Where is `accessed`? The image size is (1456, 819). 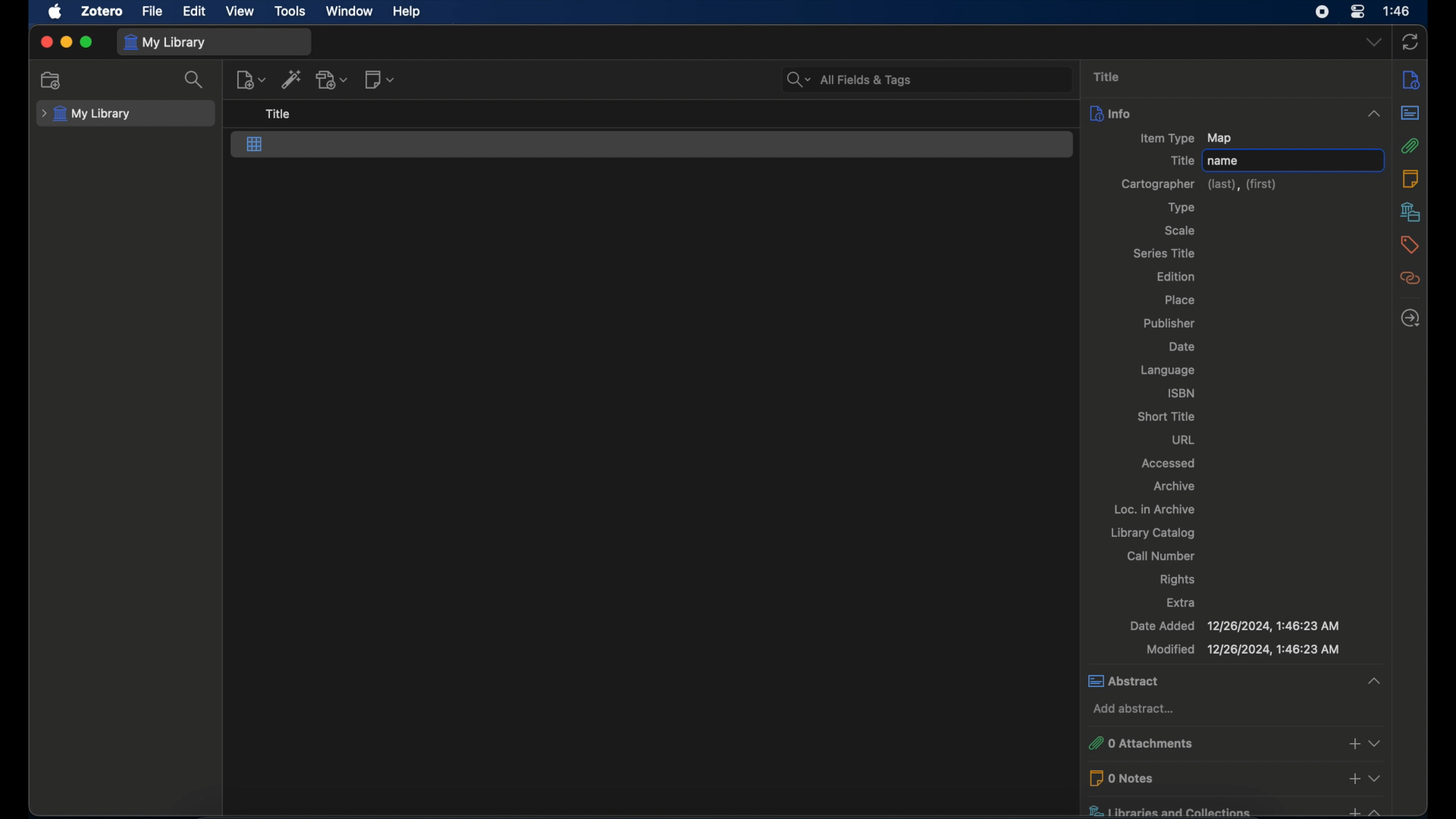
accessed is located at coordinates (1169, 462).